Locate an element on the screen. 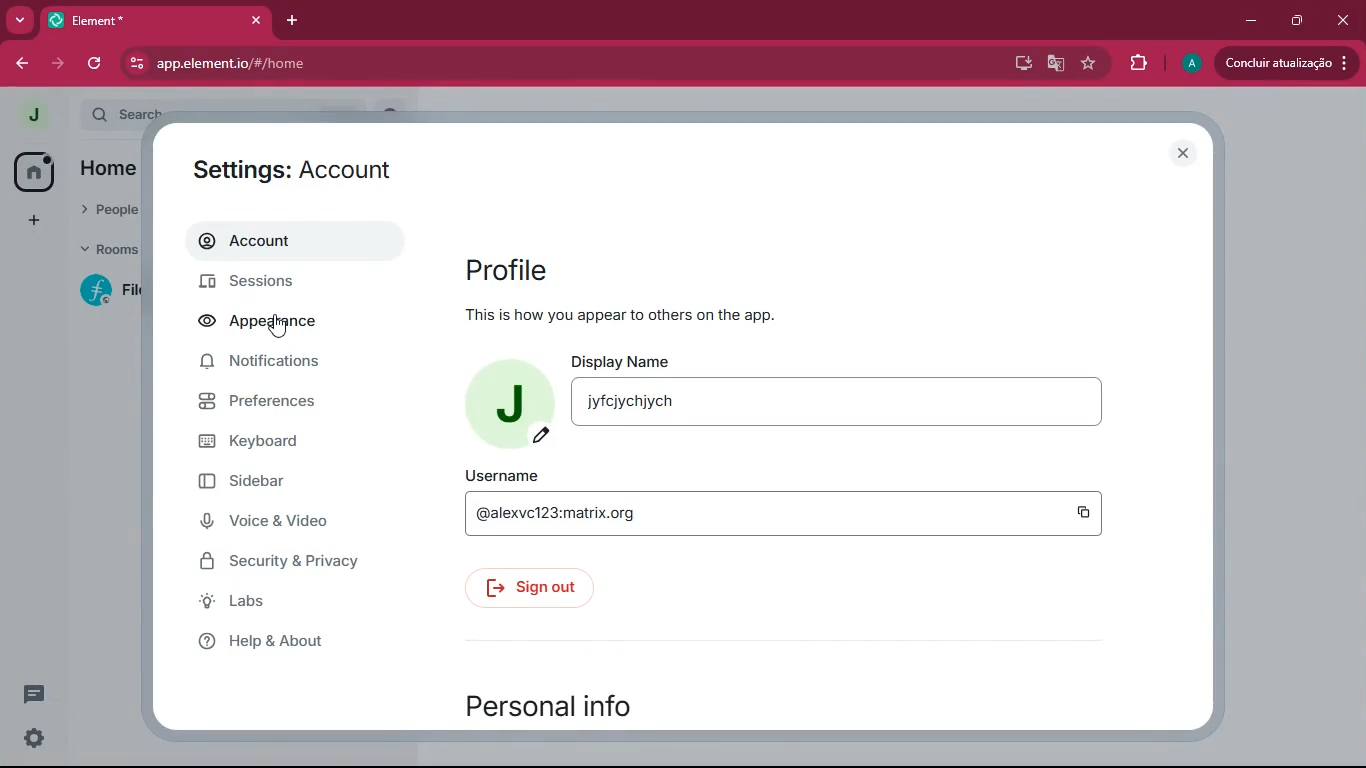 Image resolution: width=1366 pixels, height=768 pixels. close is located at coordinates (1181, 152).